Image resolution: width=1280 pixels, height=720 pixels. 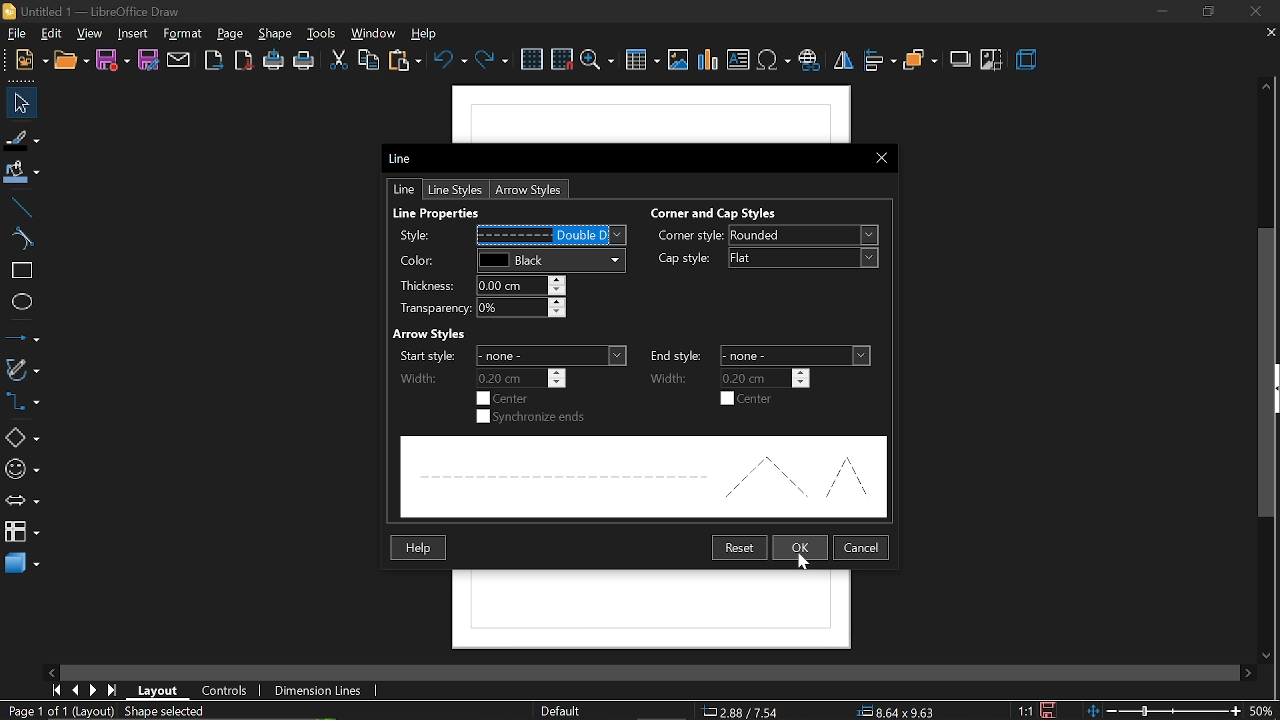 What do you see at coordinates (1254, 11) in the screenshot?
I see `close` at bounding box center [1254, 11].